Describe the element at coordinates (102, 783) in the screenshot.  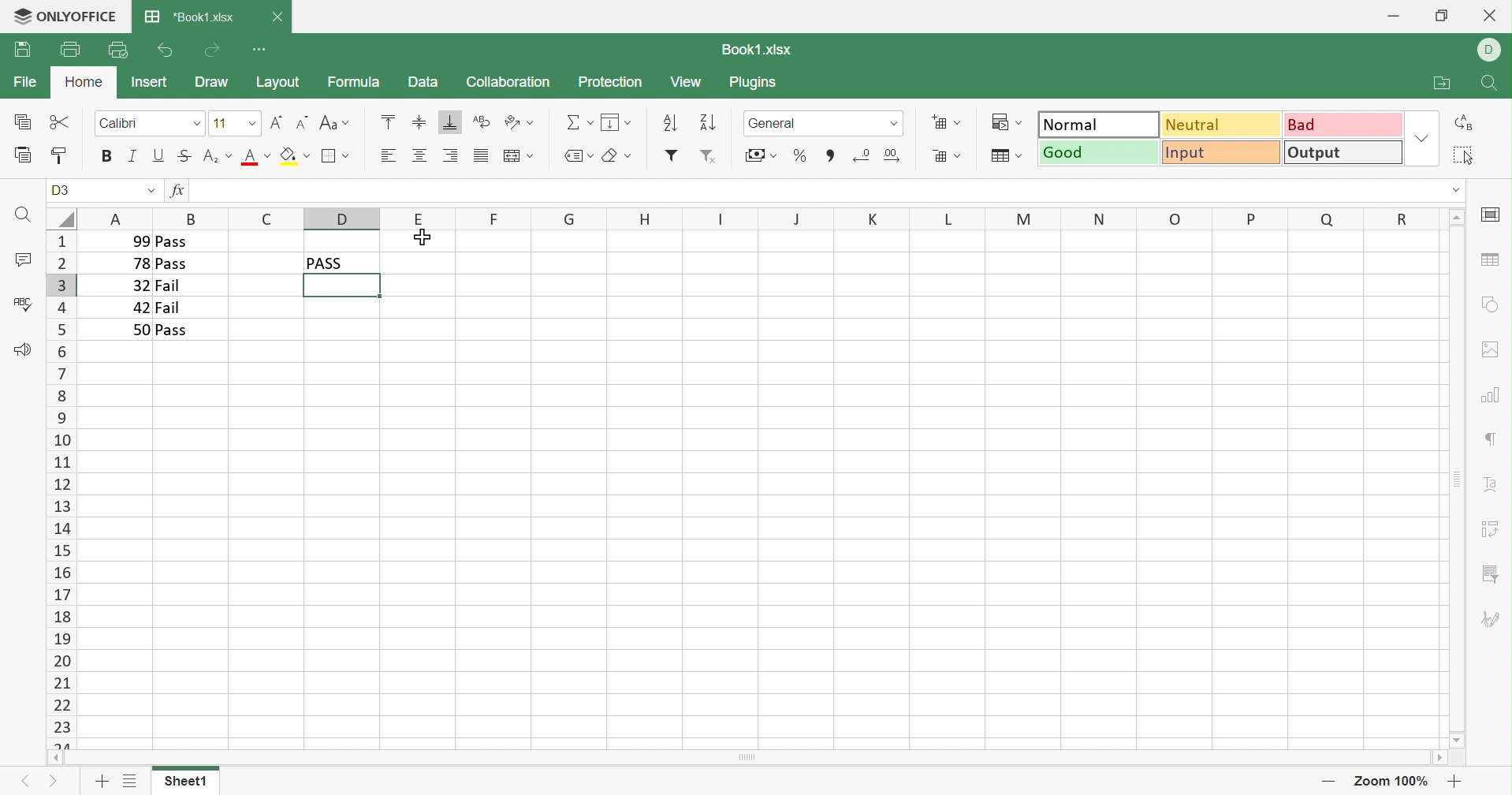
I see `Add sheet` at that location.